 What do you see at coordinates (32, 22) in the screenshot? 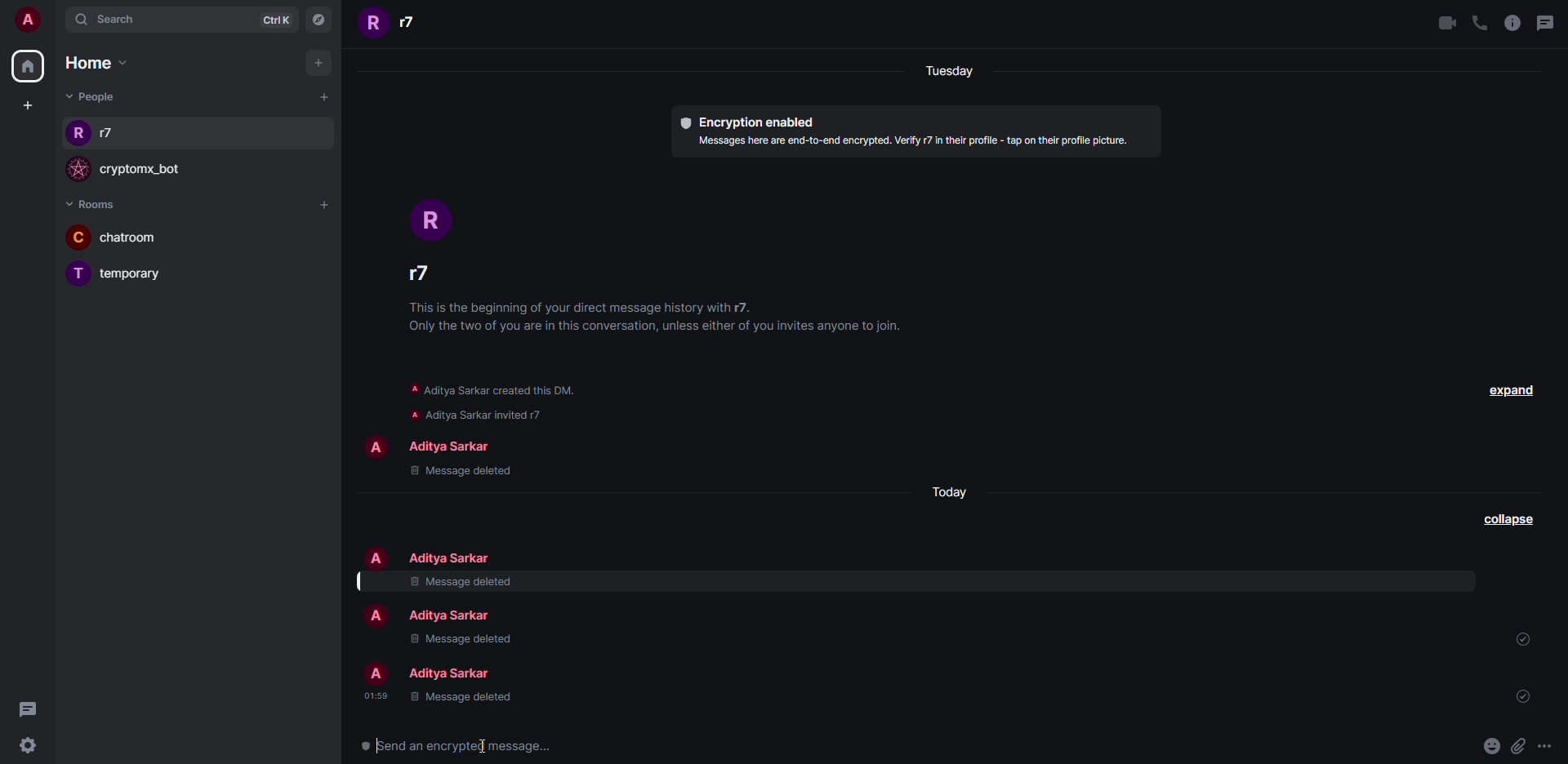
I see `account` at bounding box center [32, 22].